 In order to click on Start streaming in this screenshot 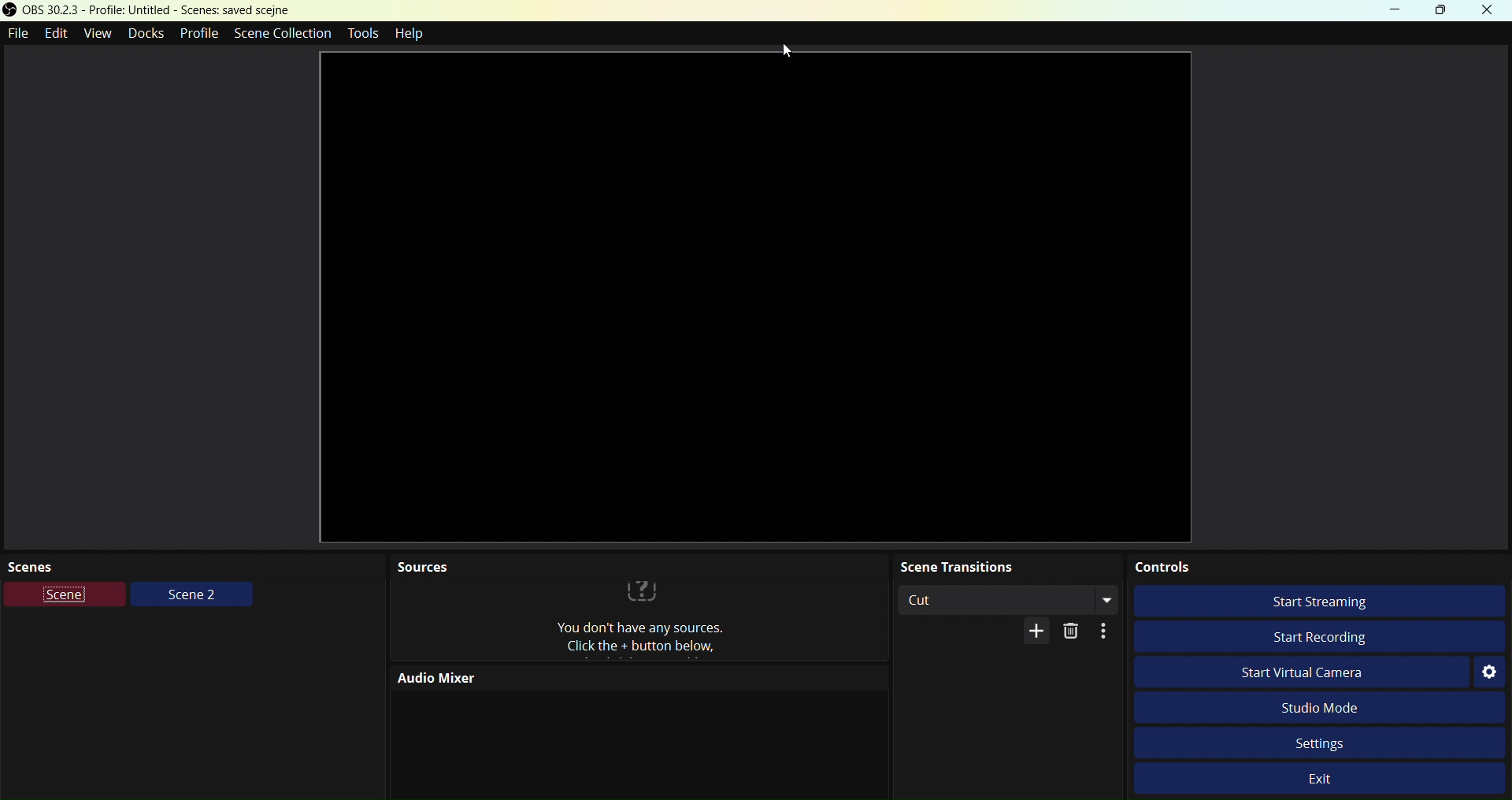, I will do `click(1326, 602)`.